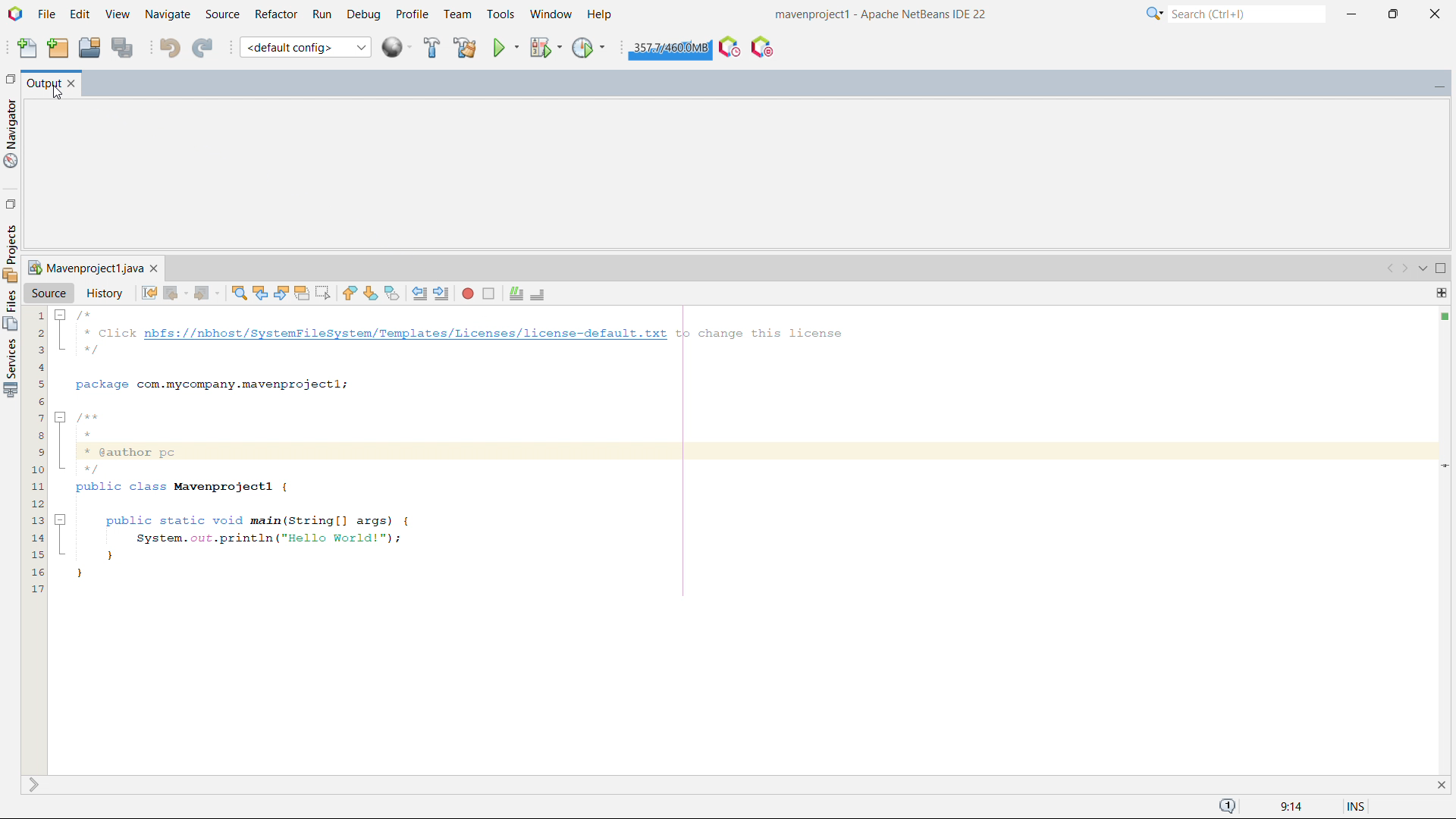 This screenshot has height=819, width=1456. What do you see at coordinates (1440, 784) in the screenshot?
I see `close` at bounding box center [1440, 784].